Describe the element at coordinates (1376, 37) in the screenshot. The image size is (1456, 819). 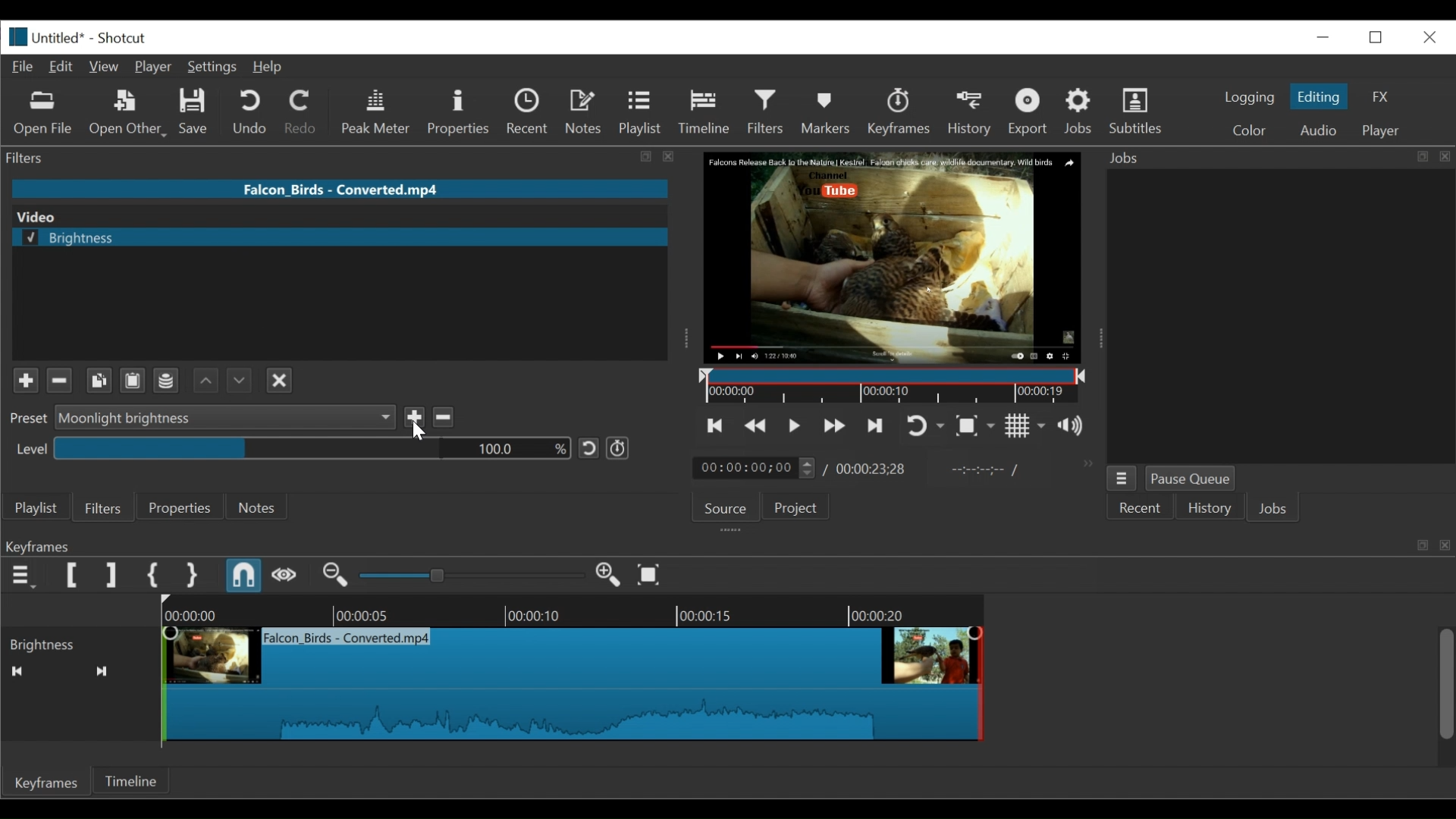
I see `minimize` at that location.